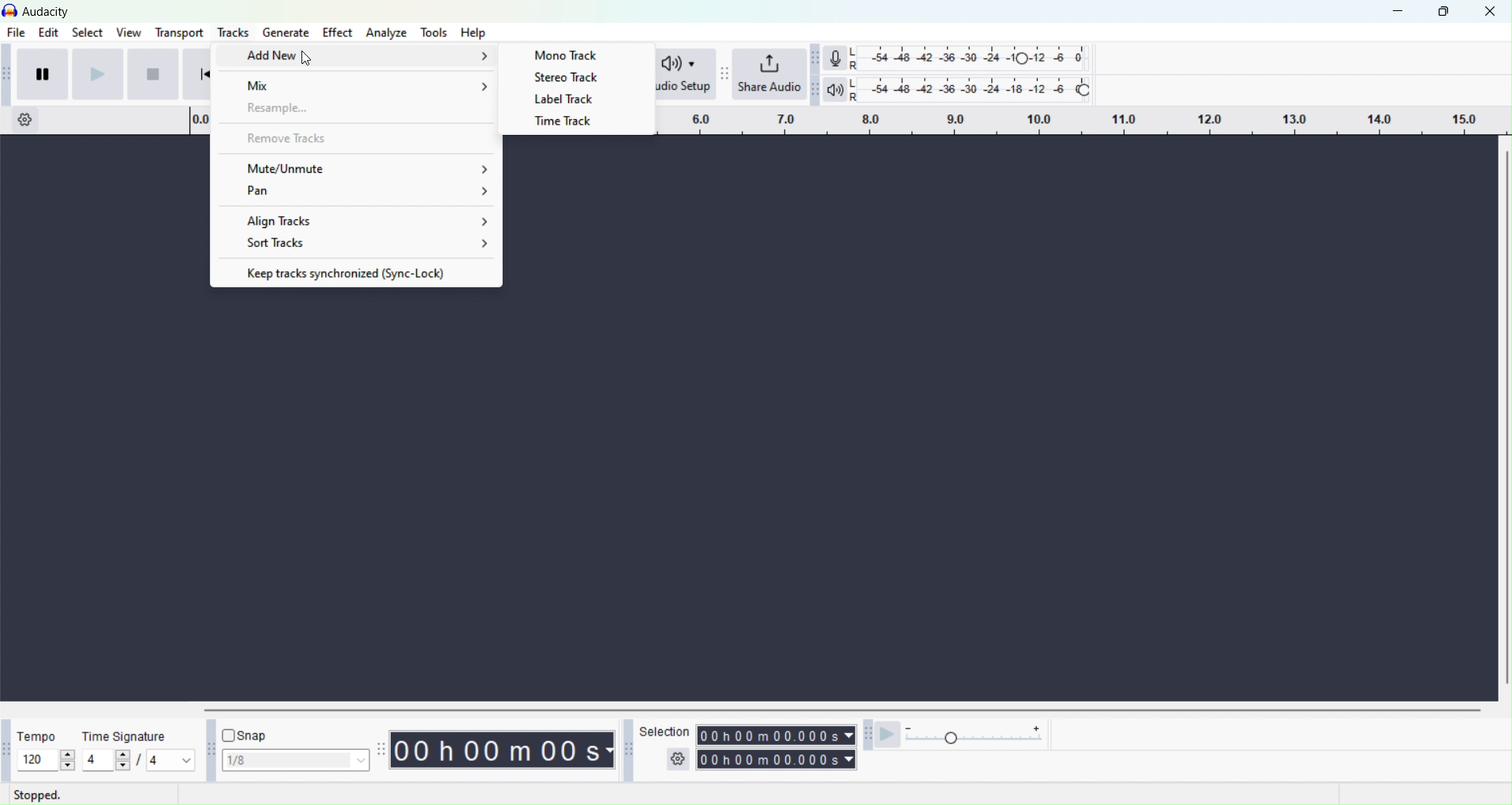 Image resolution: width=1512 pixels, height=805 pixels. Describe the element at coordinates (294, 761) in the screenshot. I see `Snap selection` at that location.